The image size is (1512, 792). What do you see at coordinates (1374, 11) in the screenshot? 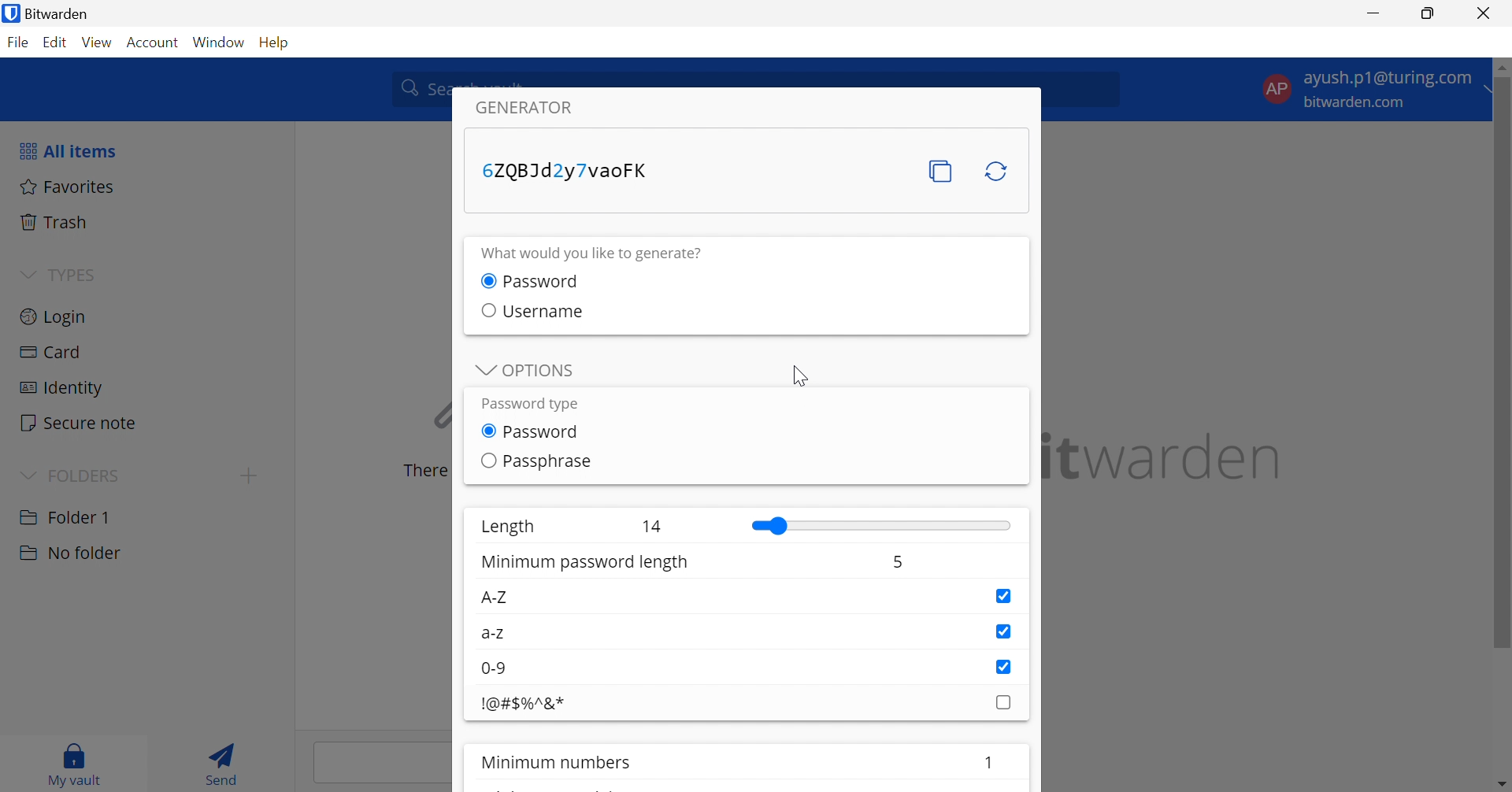
I see `Minimize` at bounding box center [1374, 11].